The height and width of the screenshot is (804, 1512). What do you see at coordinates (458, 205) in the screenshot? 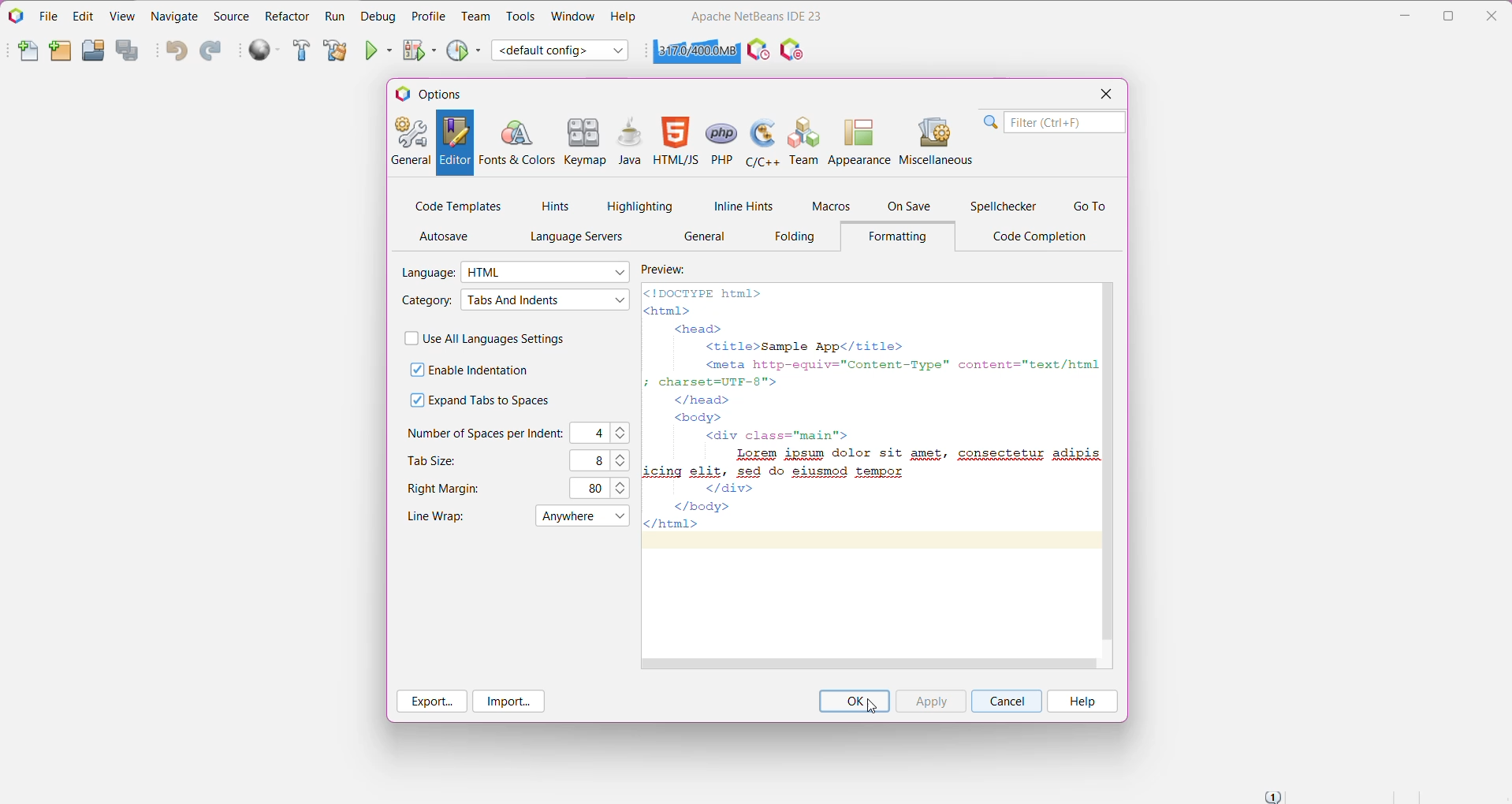
I see `Code Templates` at bounding box center [458, 205].